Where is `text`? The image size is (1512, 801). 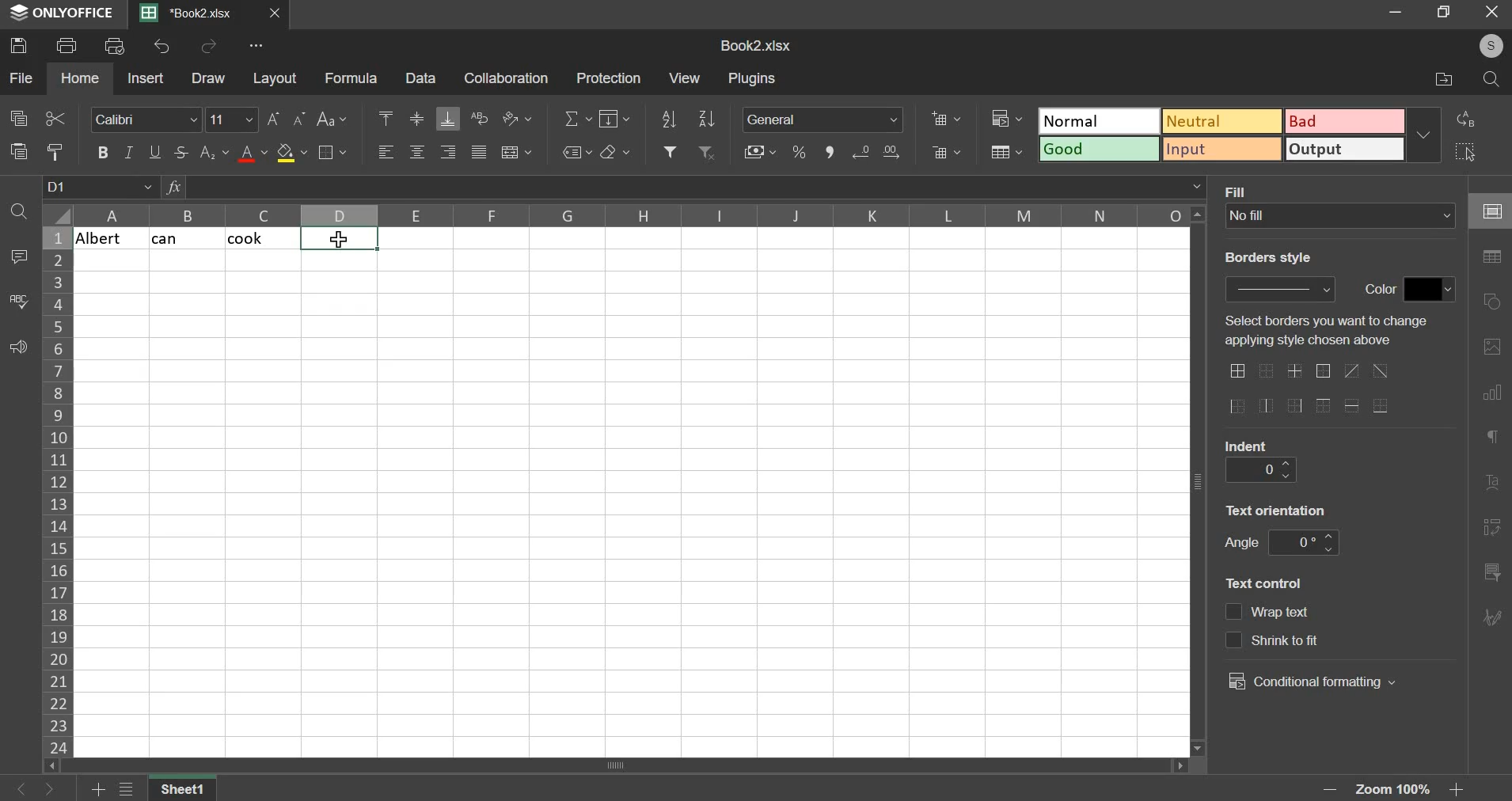 text is located at coordinates (1247, 443).